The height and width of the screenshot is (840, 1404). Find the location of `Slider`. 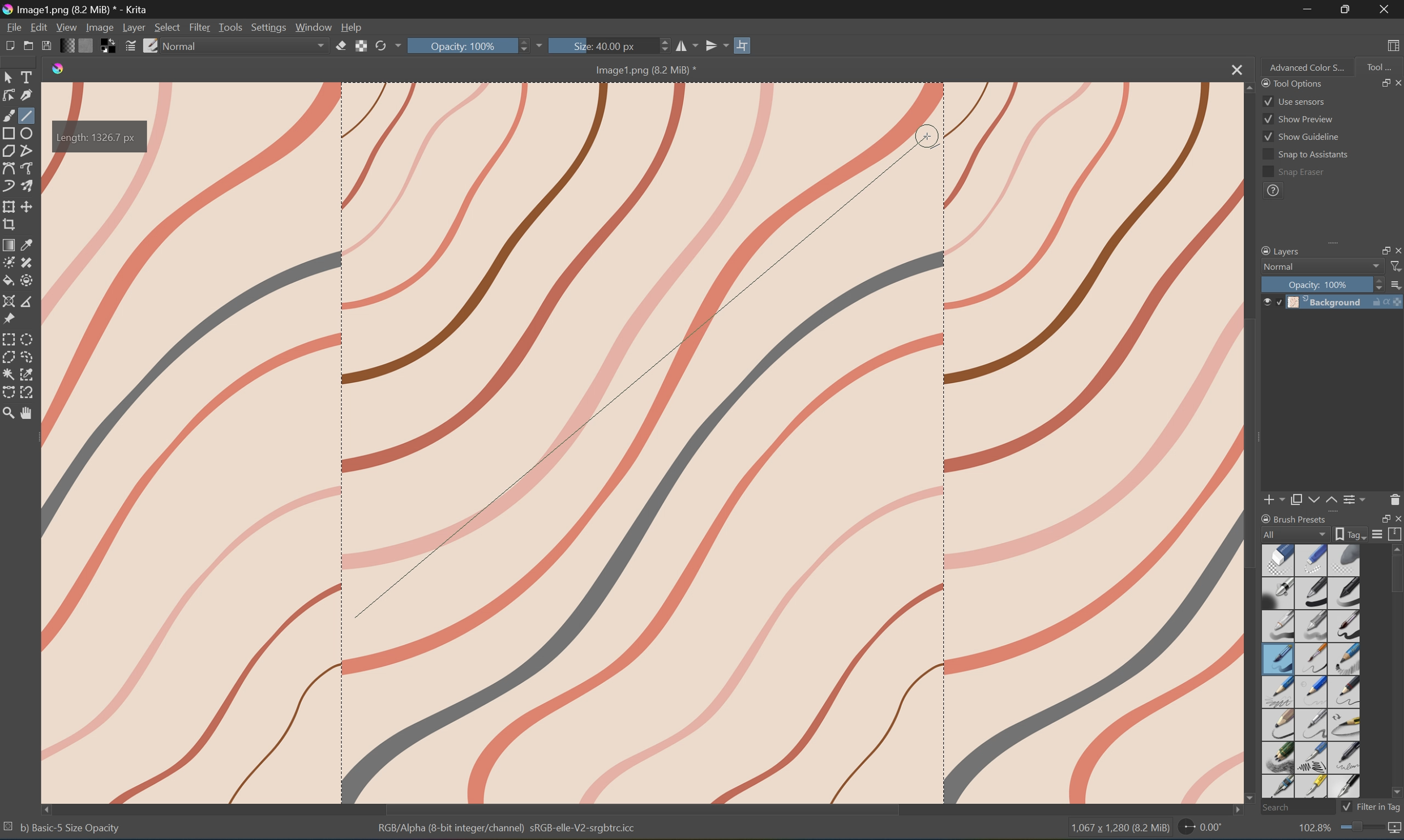

Slider is located at coordinates (1362, 827).